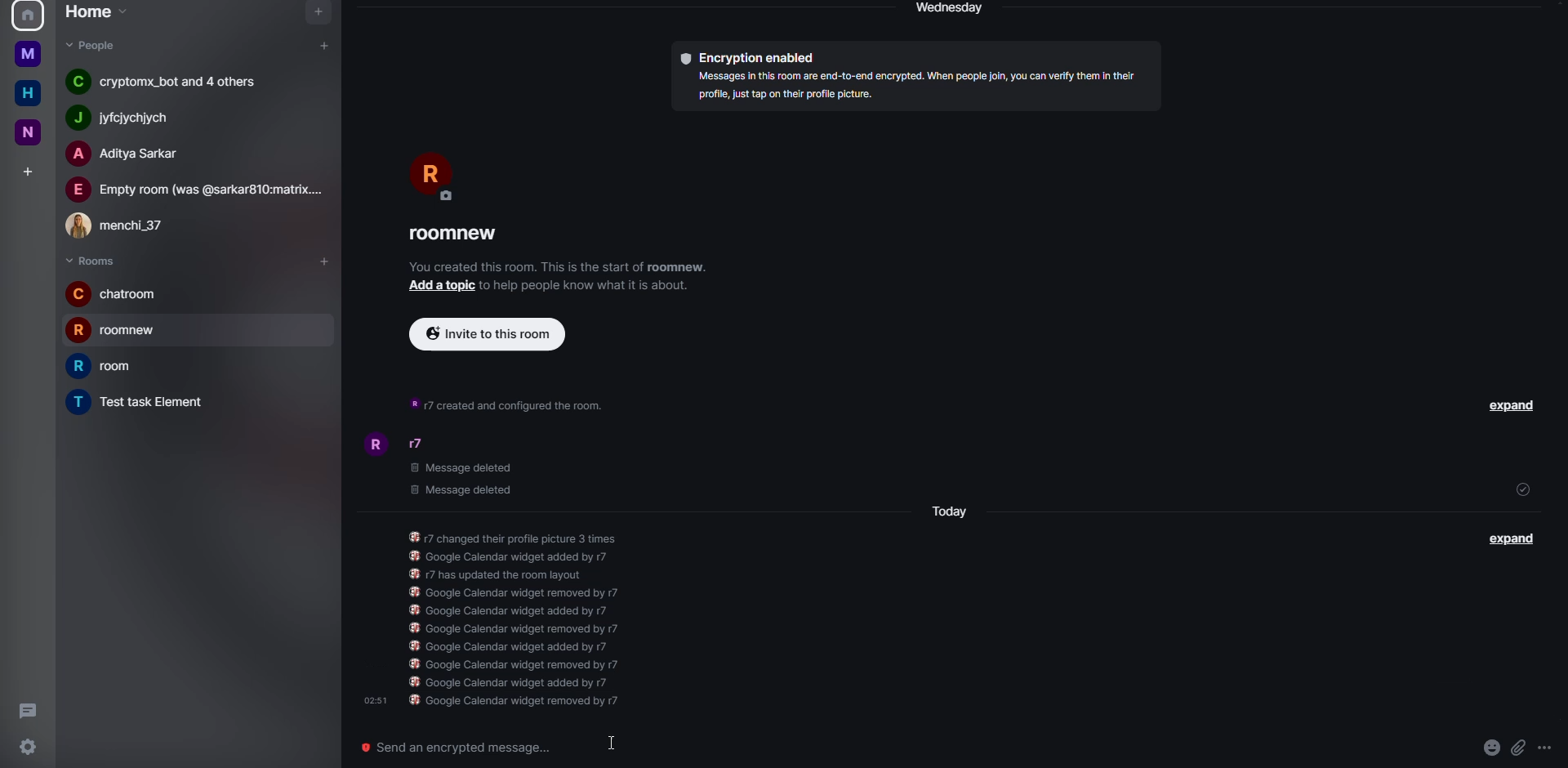  I want to click on profile, so click(373, 444).